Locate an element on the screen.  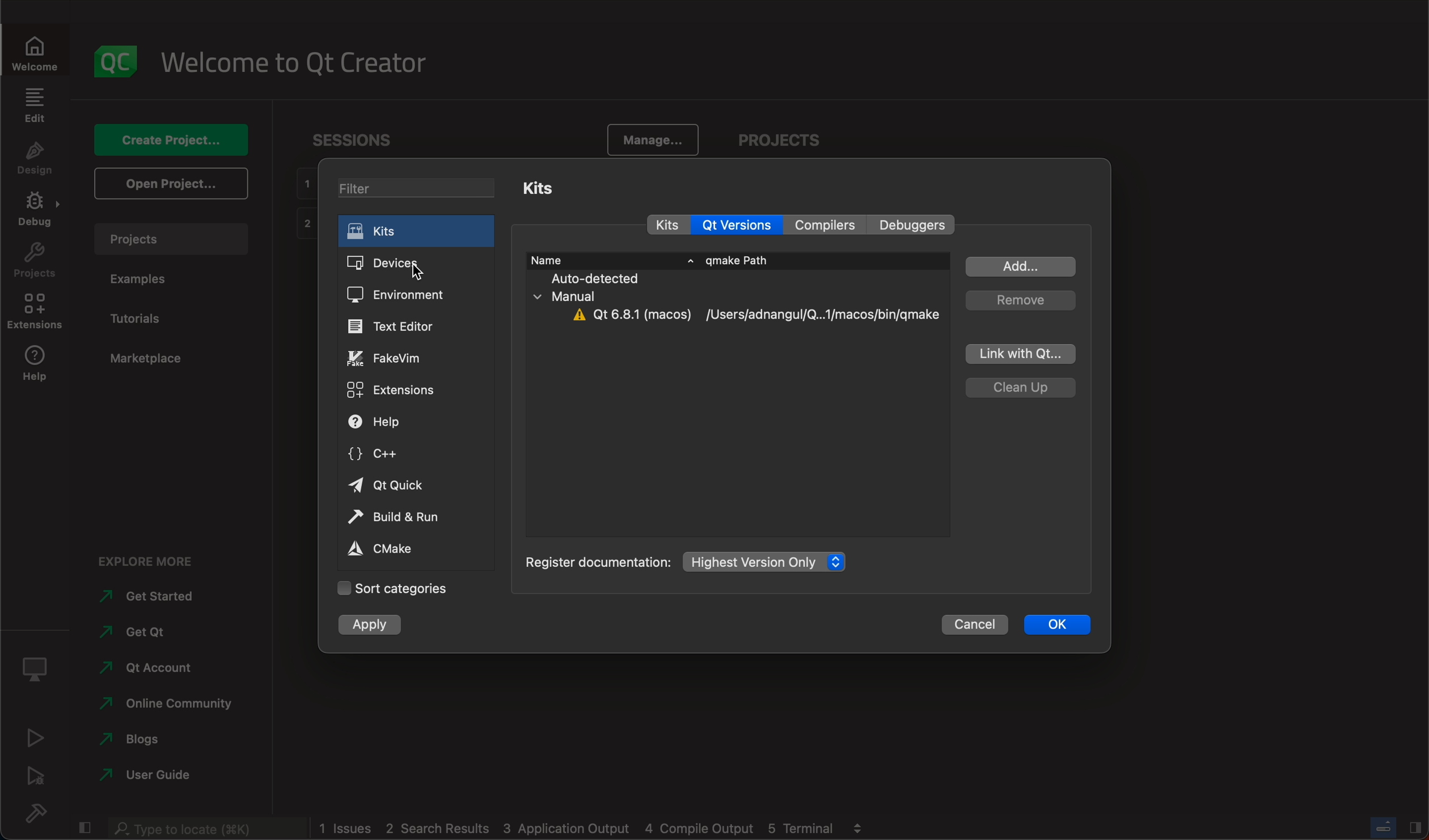
link with qt is located at coordinates (1020, 354).